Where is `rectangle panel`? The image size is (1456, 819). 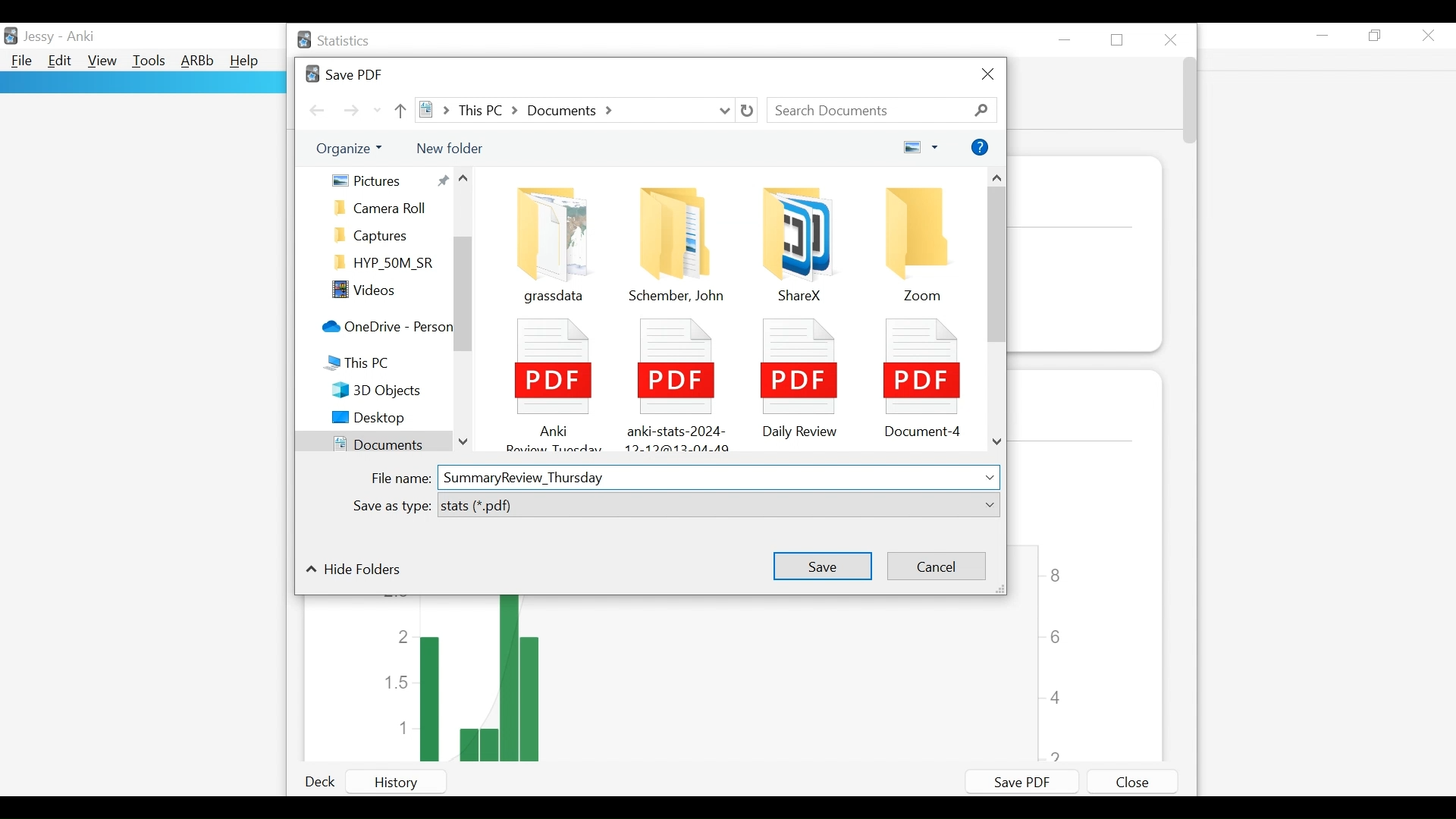 rectangle panel is located at coordinates (142, 83).